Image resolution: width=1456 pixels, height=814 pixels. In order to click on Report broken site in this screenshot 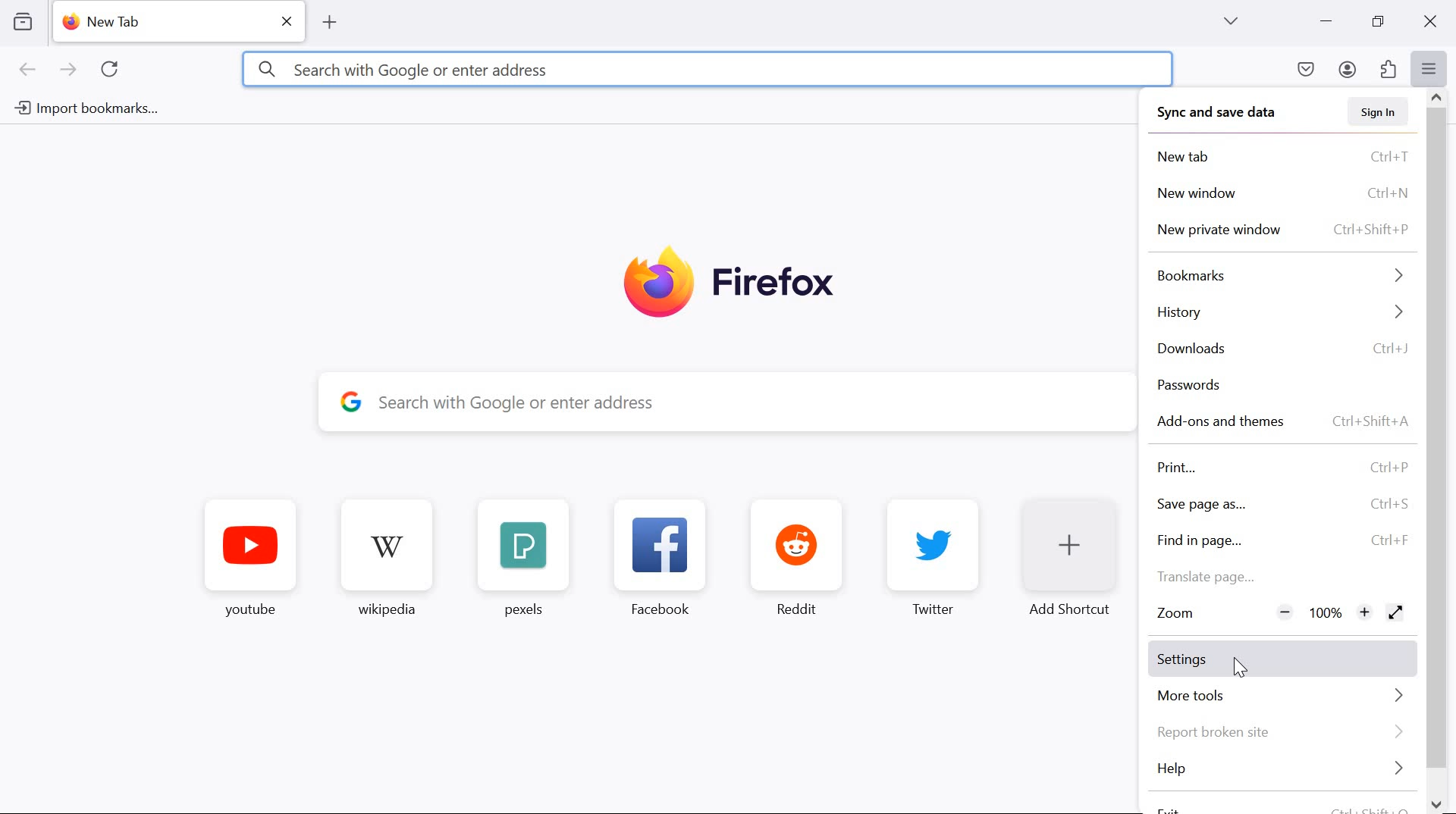, I will do `click(1281, 731)`.